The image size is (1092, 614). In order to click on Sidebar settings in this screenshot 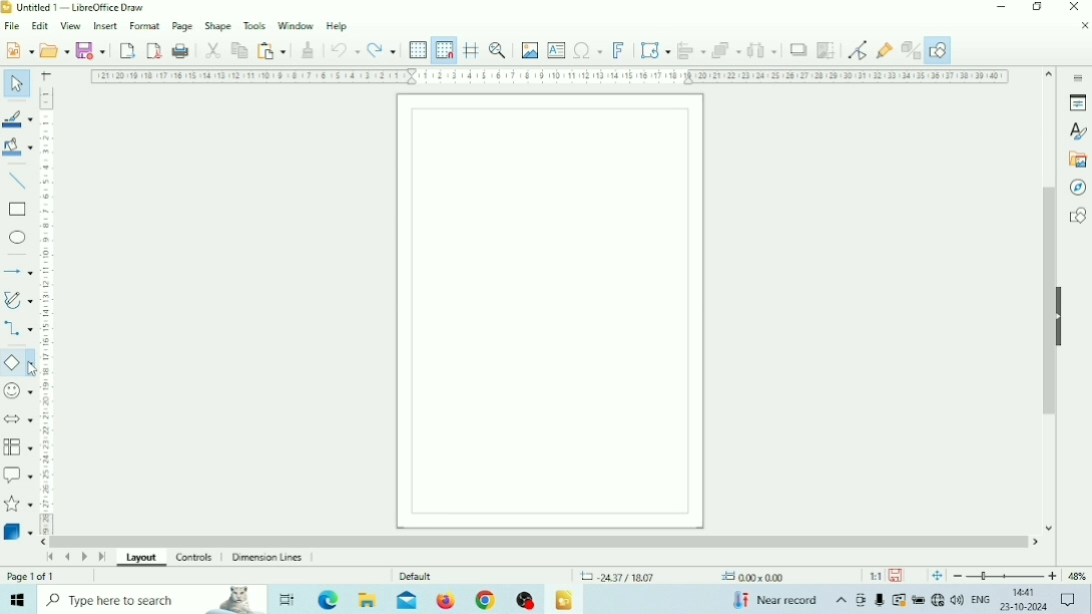, I will do `click(1077, 76)`.